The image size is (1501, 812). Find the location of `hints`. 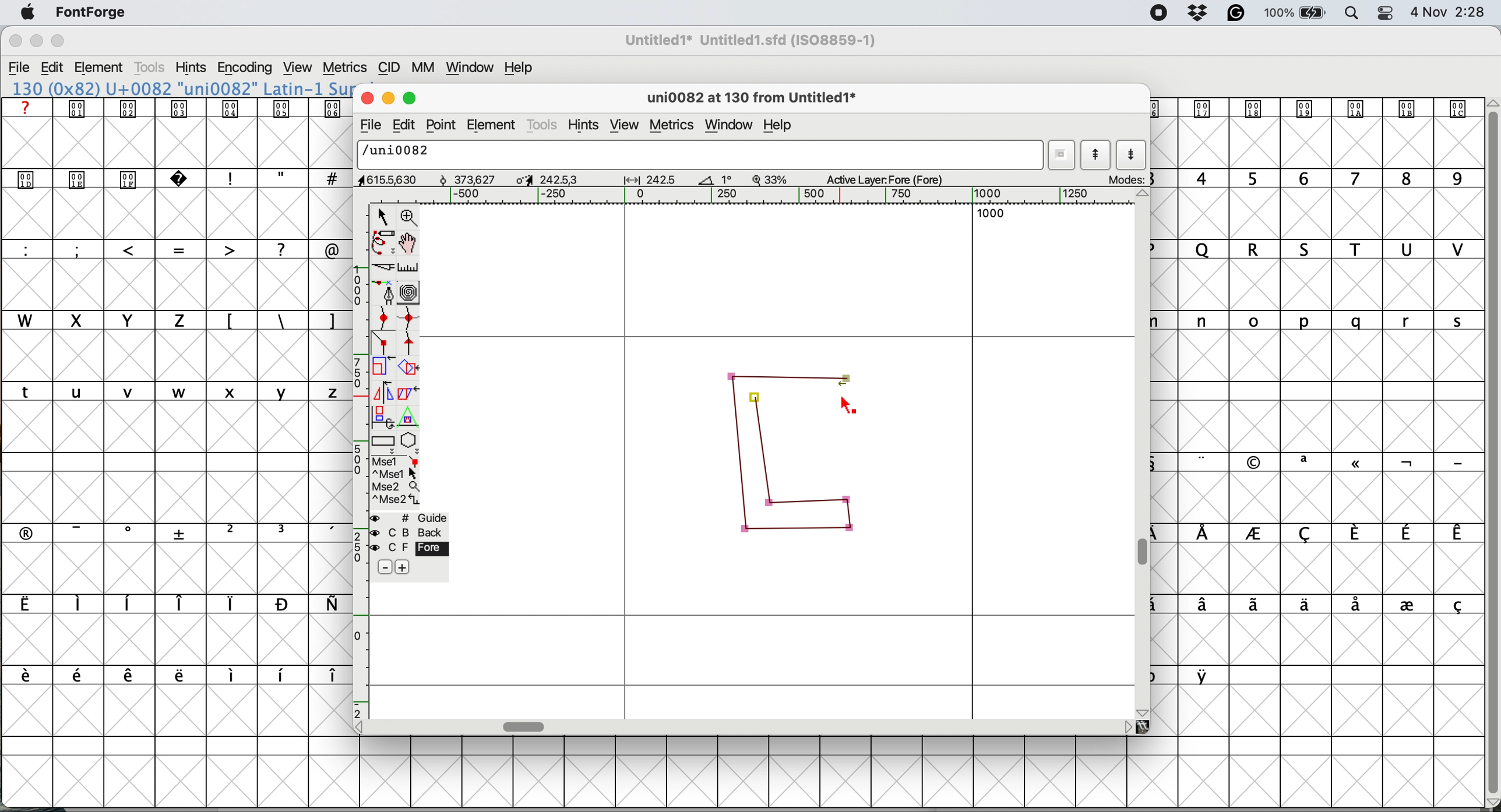

hints is located at coordinates (191, 67).